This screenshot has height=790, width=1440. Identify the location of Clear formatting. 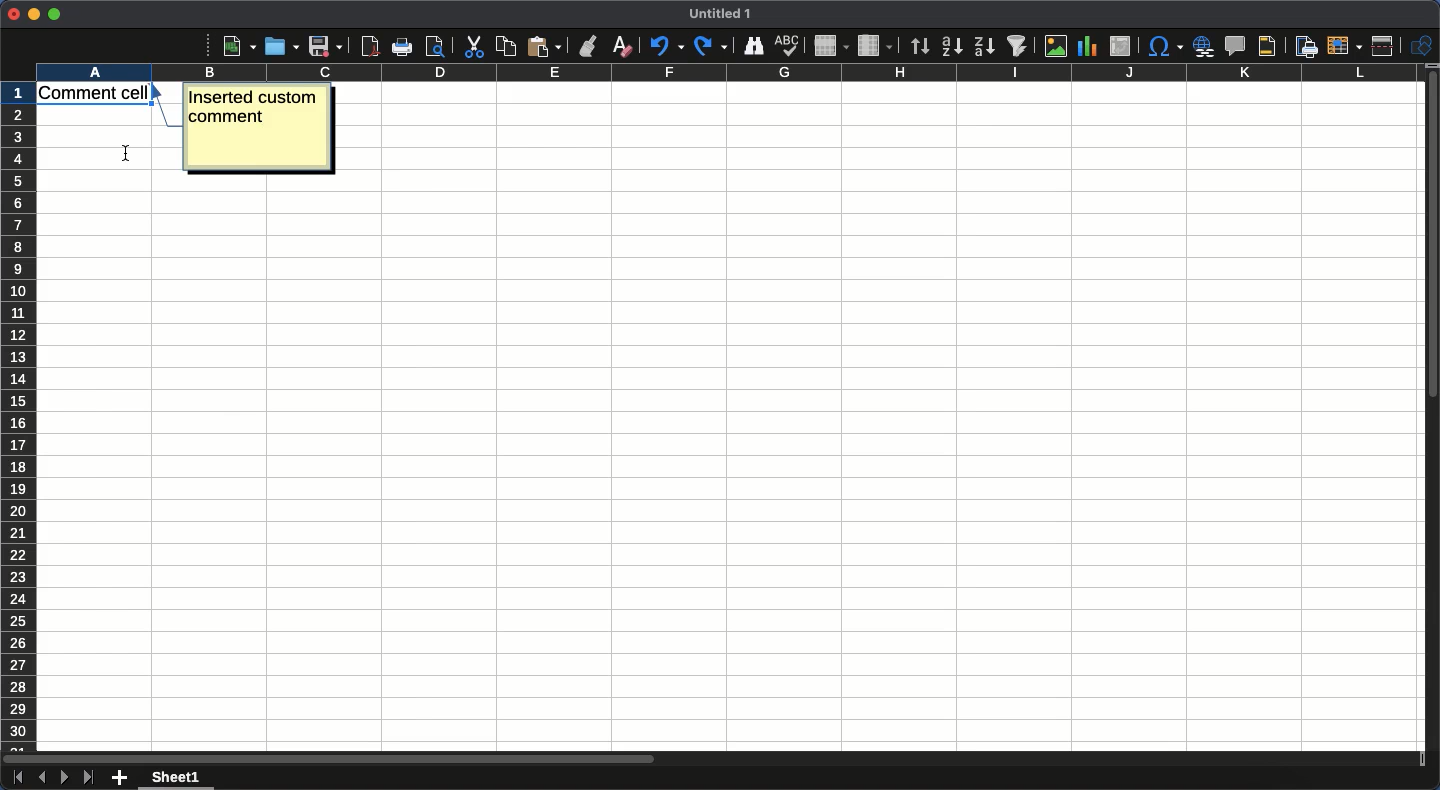
(625, 46).